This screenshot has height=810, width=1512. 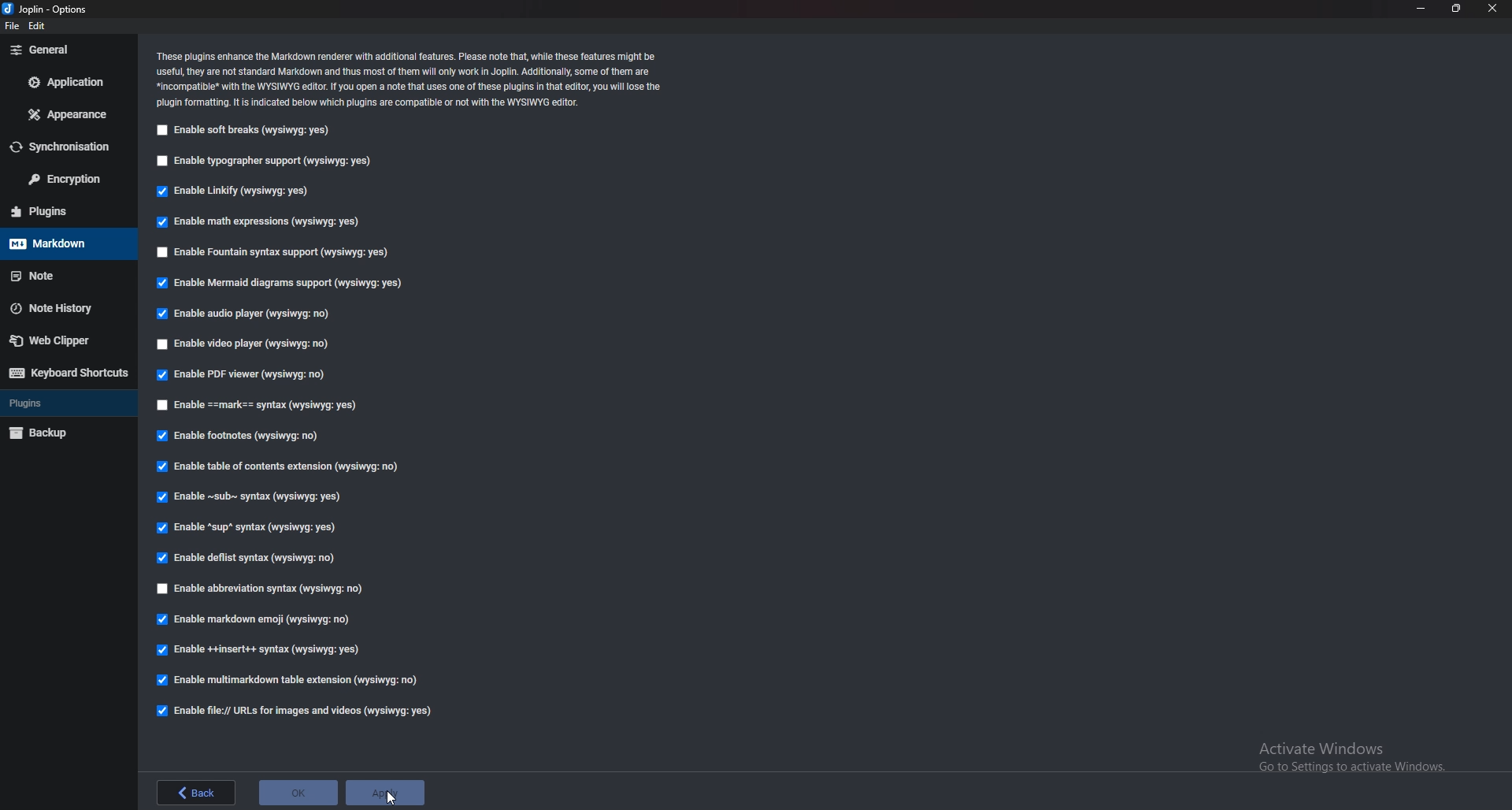 What do you see at coordinates (61, 179) in the screenshot?
I see `Encryption` at bounding box center [61, 179].